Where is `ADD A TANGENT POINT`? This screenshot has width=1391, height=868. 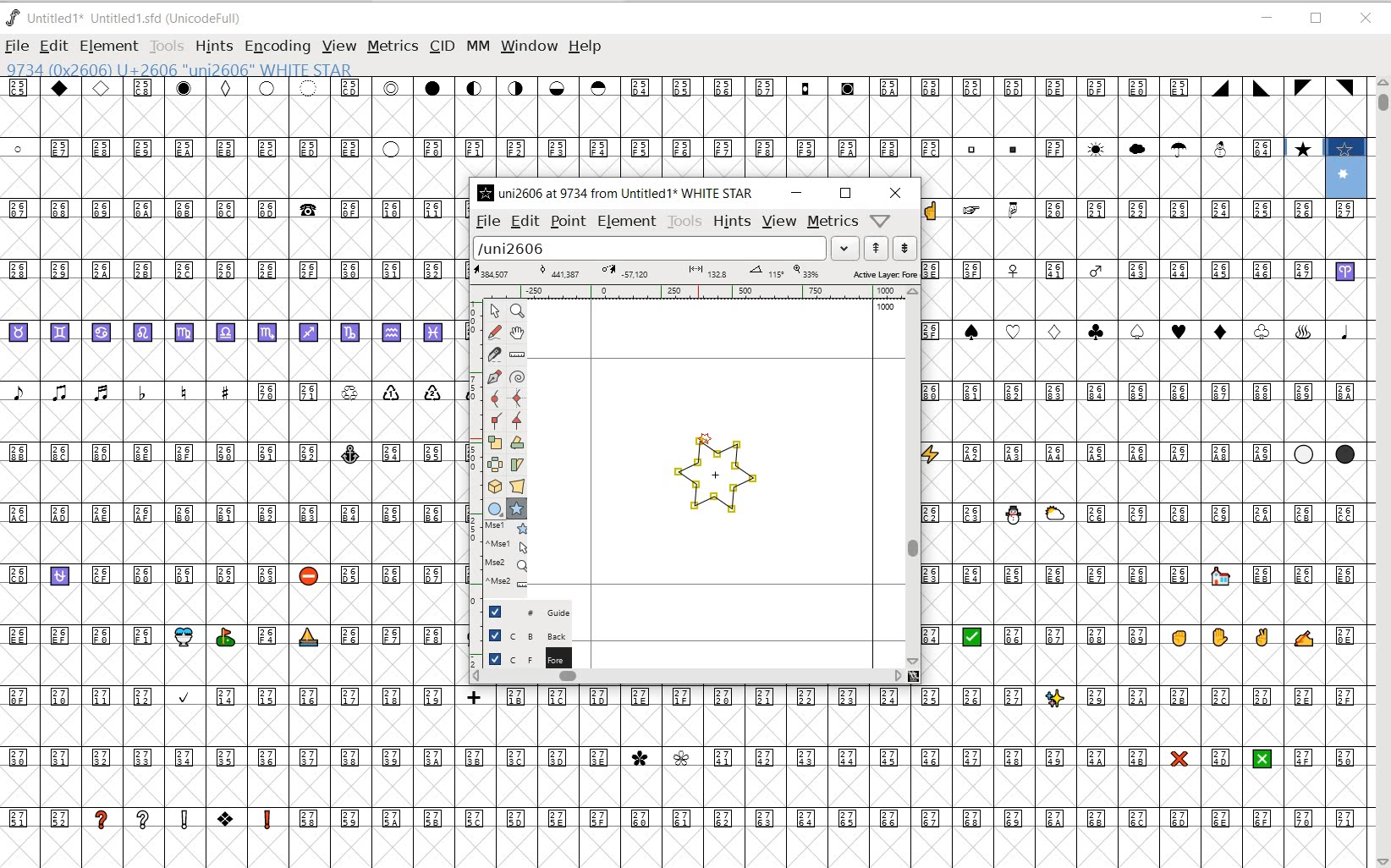
ADD A TANGENT POINT is located at coordinates (518, 421).